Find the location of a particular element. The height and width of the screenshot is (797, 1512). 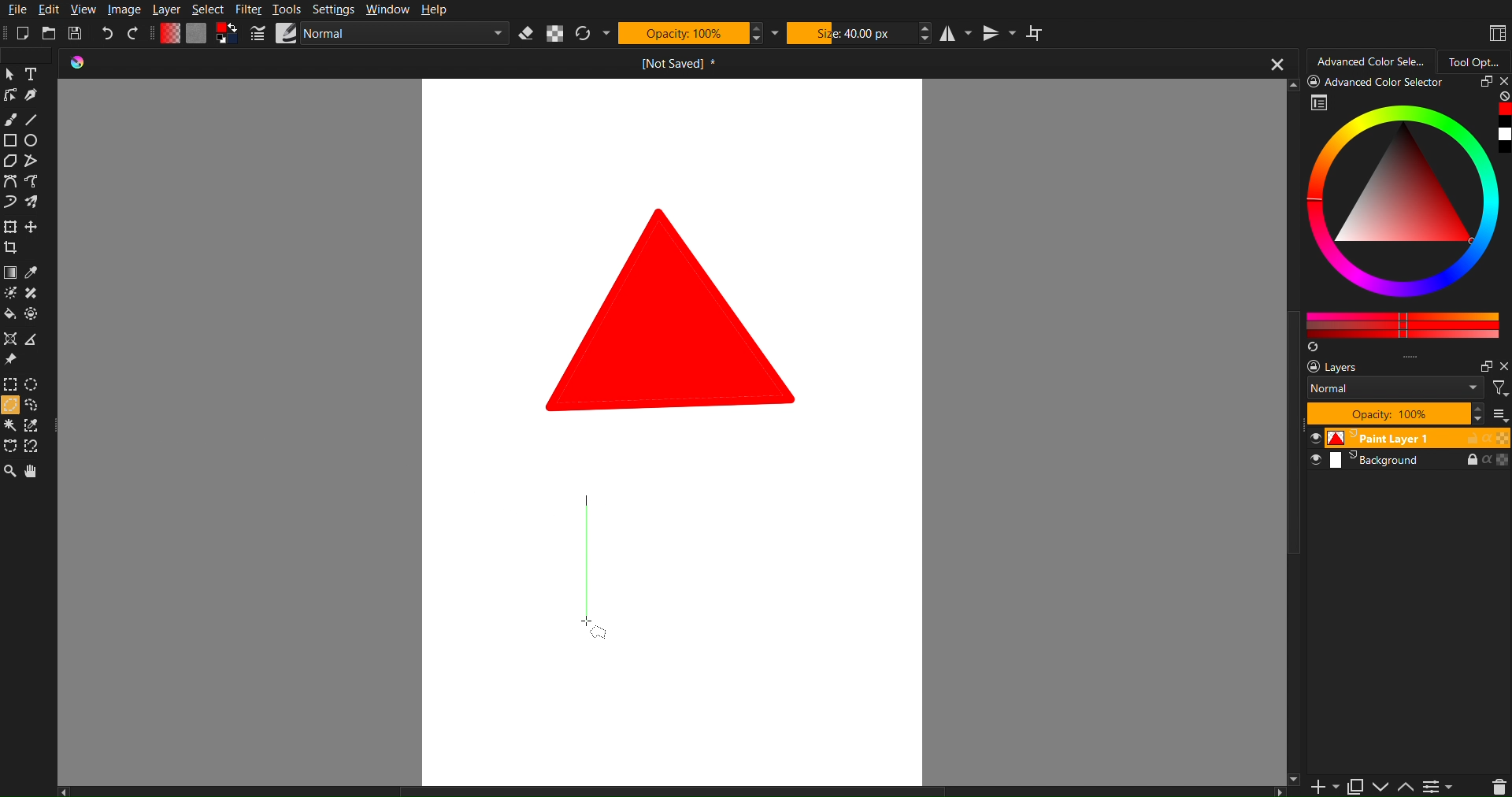

Layers is located at coordinates (1403, 411).